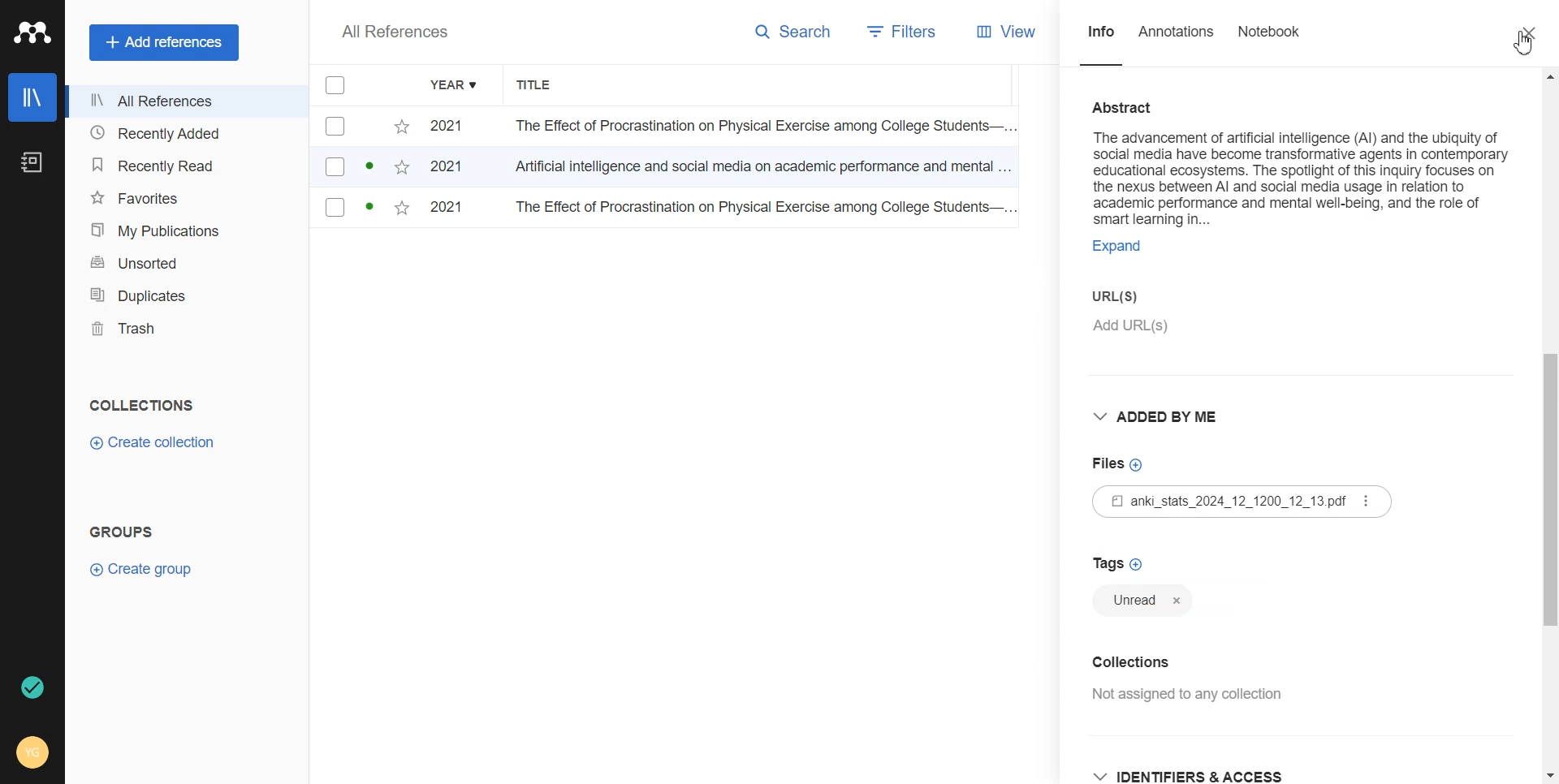 The height and width of the screenshot is (784, 1559). Describe the element at coordinates (32, 752) in the screenshot. I see `Account` at that location.